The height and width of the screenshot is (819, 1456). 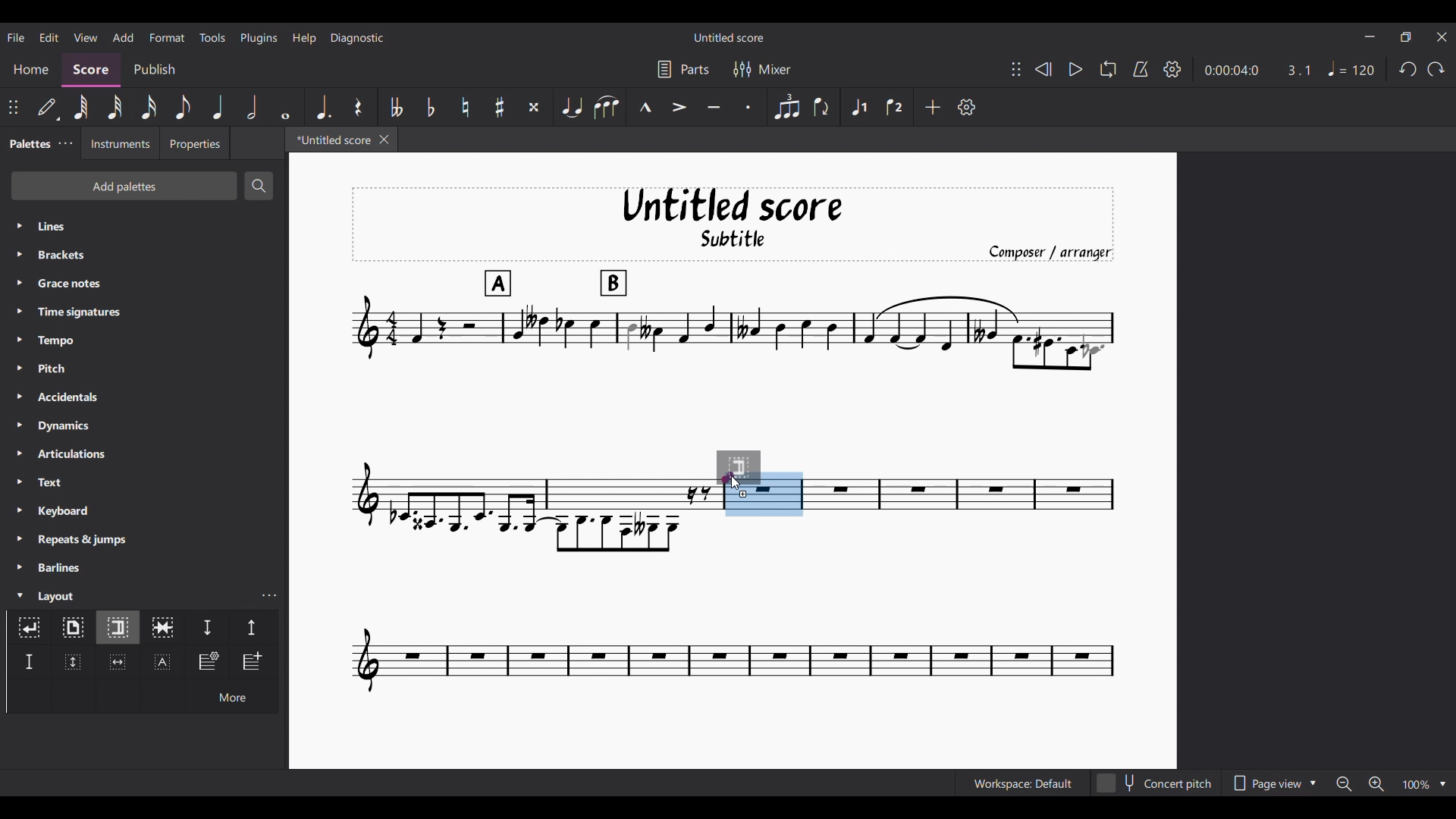 What do you see at coordinates (144, 340) in the screenshot?
I see `Tempo` at bounding box center [144, 340].